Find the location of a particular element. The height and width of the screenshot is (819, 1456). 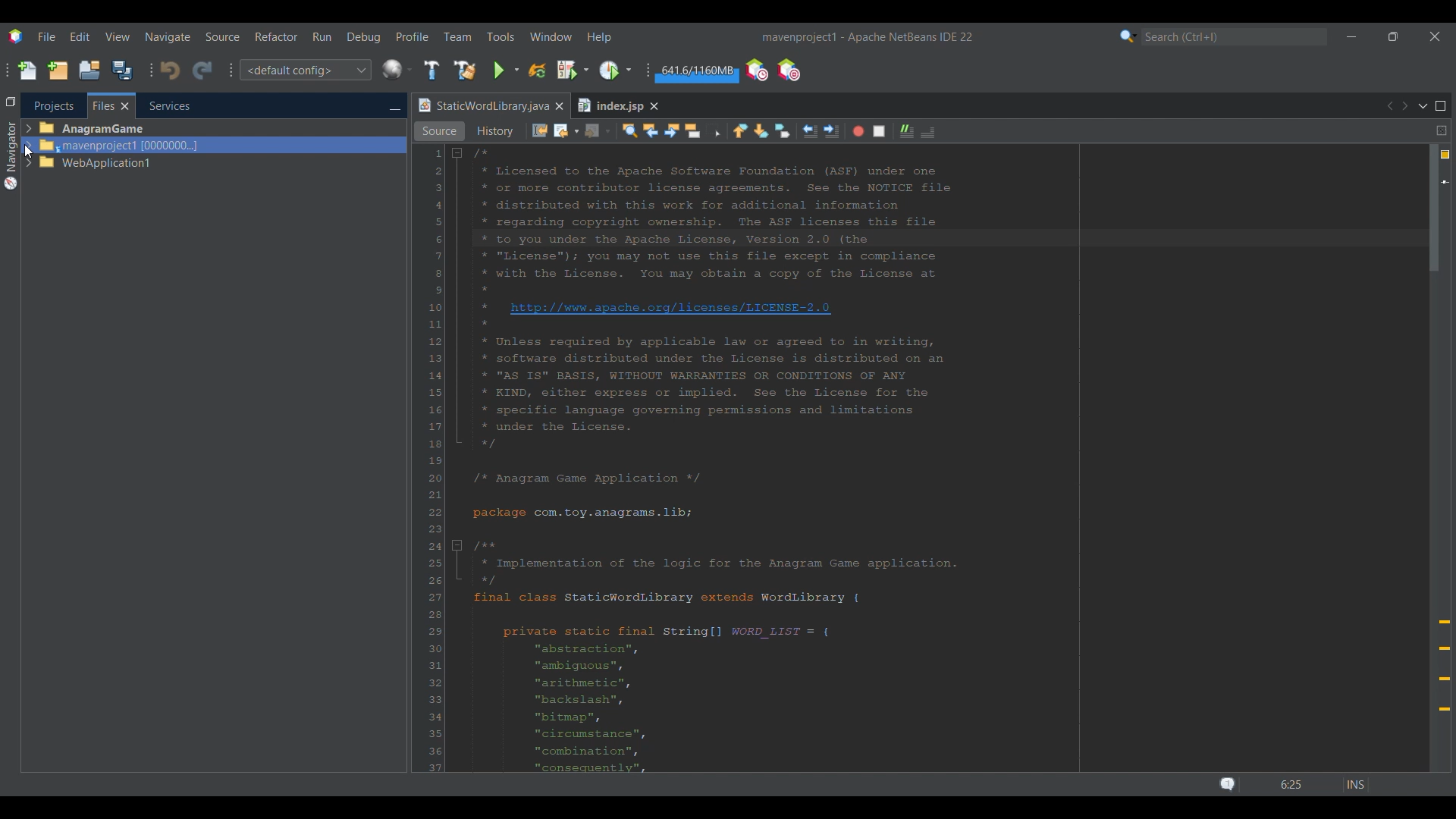

Help menu is located at coordinates (598, 38).